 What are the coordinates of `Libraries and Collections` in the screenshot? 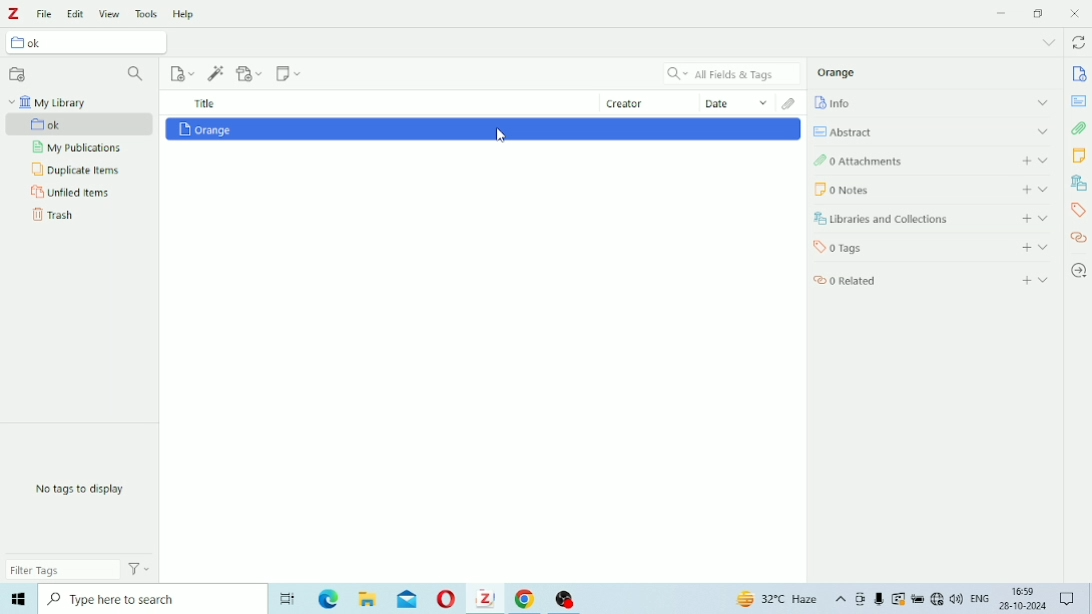 It's located at (1078, 182).